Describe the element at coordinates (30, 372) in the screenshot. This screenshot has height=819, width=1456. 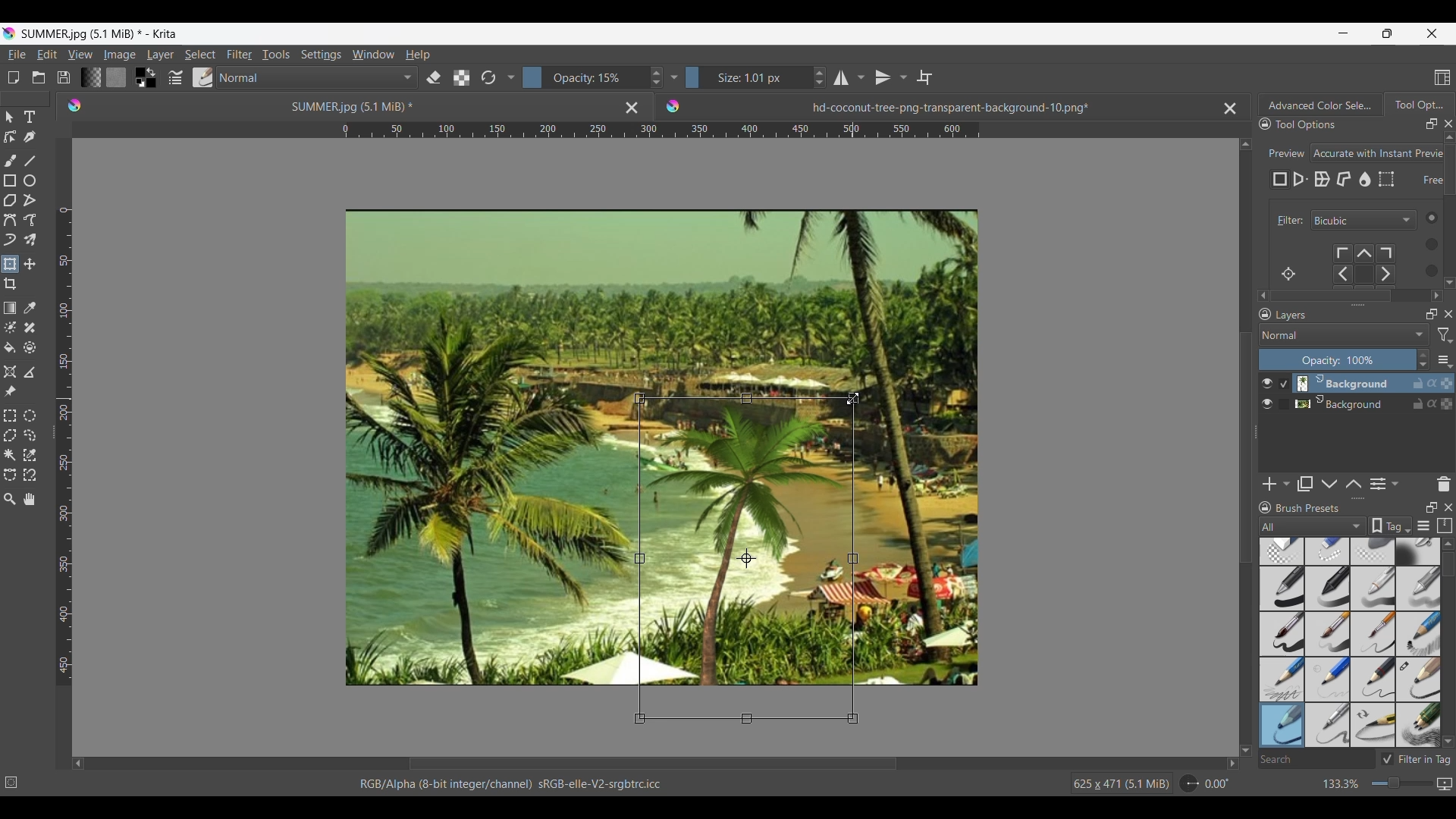
I see `Measure the distance between two points` at that location.